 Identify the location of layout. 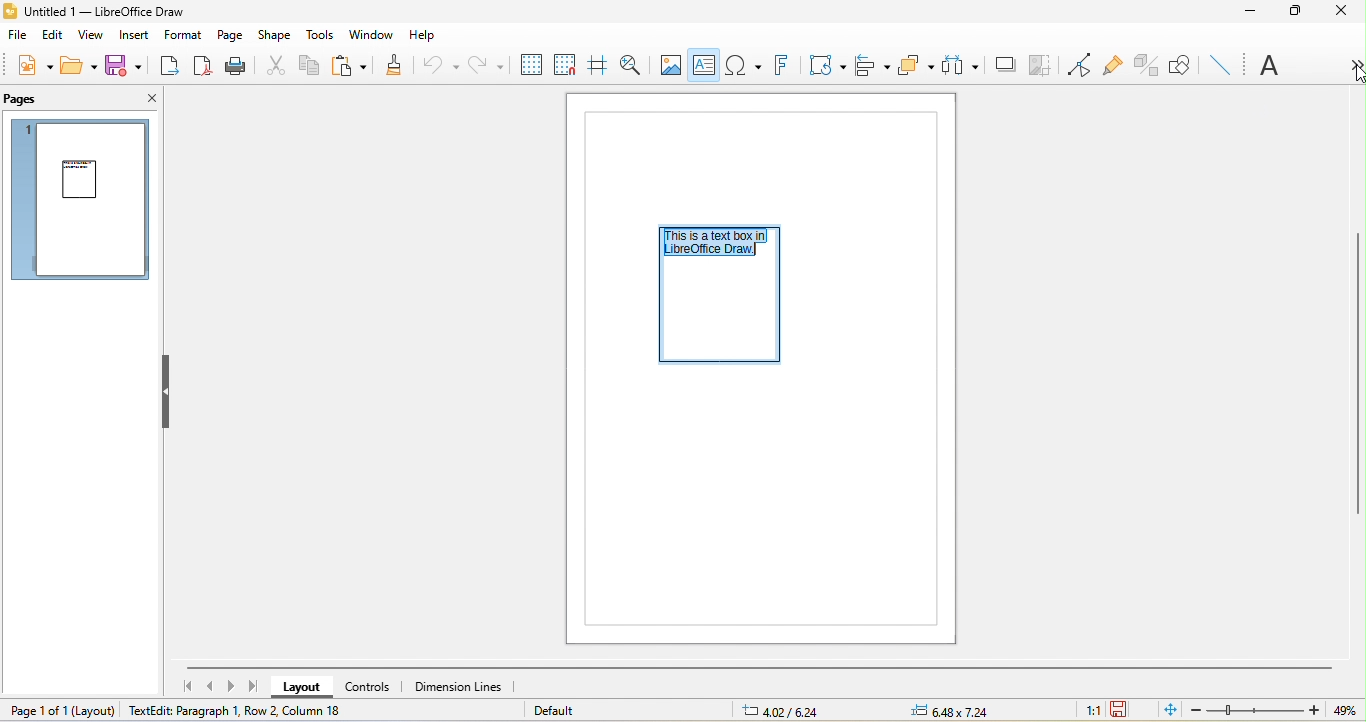
(306, 688).